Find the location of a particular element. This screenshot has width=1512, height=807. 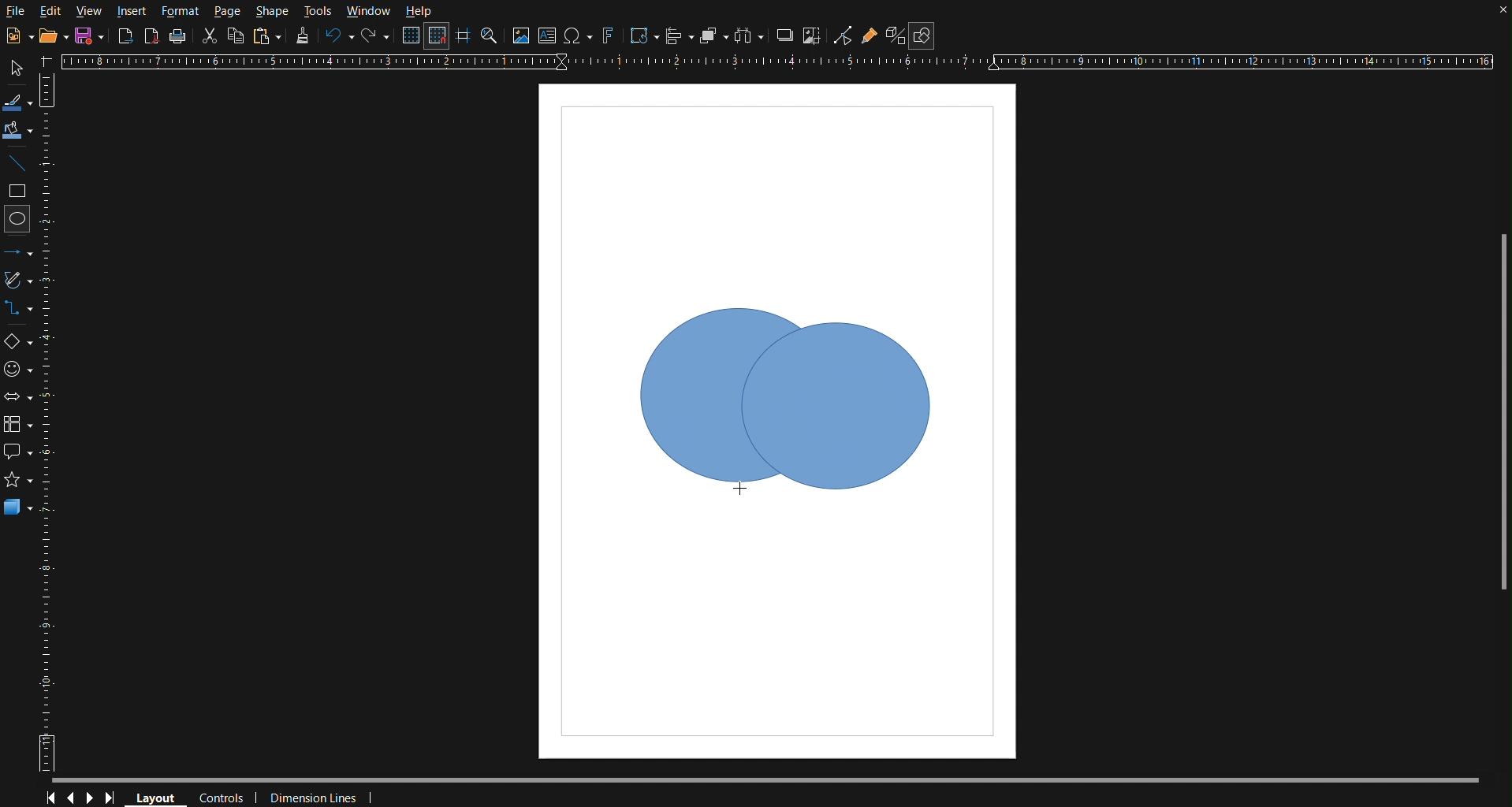

New is located at coordinates (15, 33).